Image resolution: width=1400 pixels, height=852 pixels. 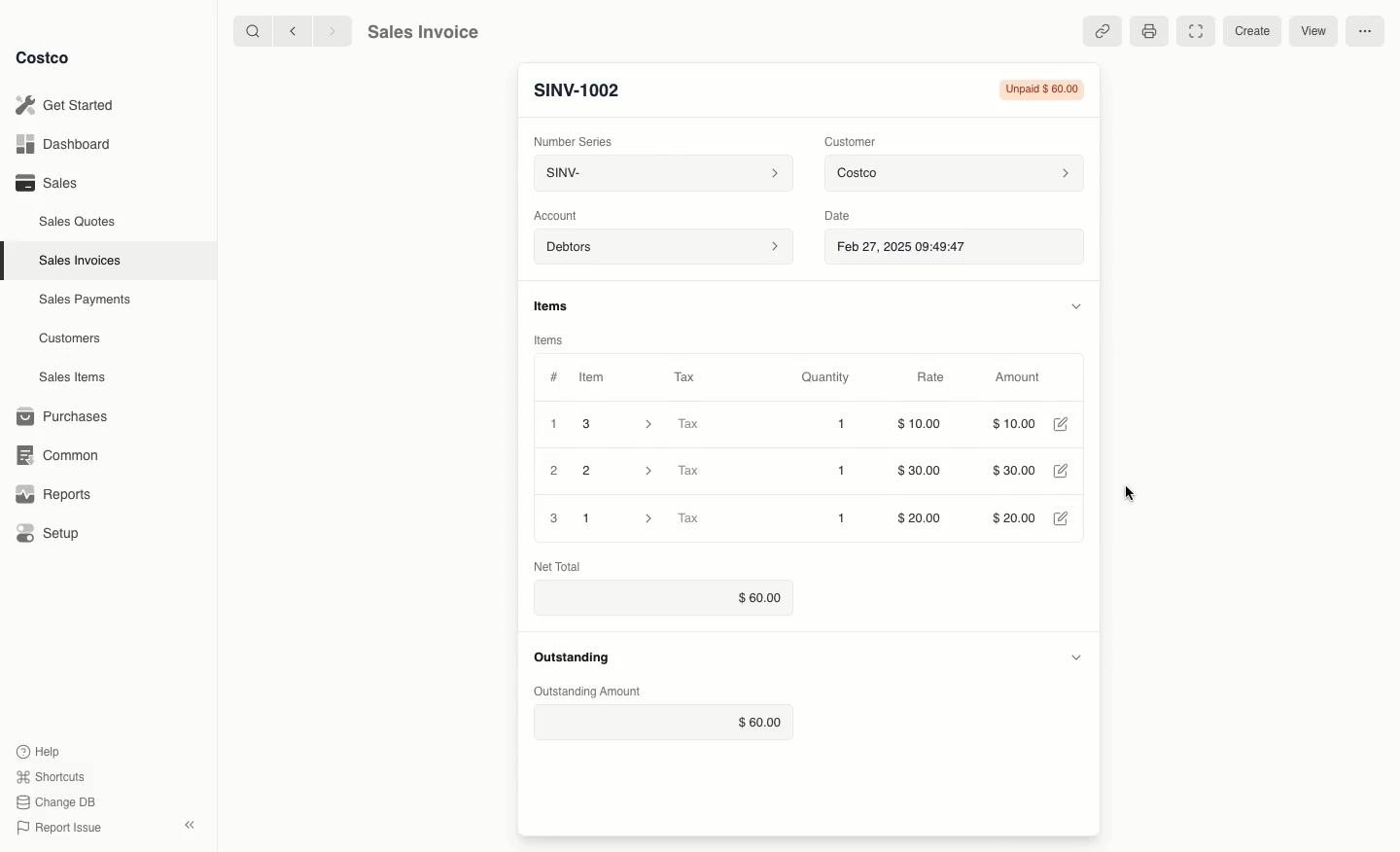 I want to click on Sales Quotes, so click(x=79, y=221).